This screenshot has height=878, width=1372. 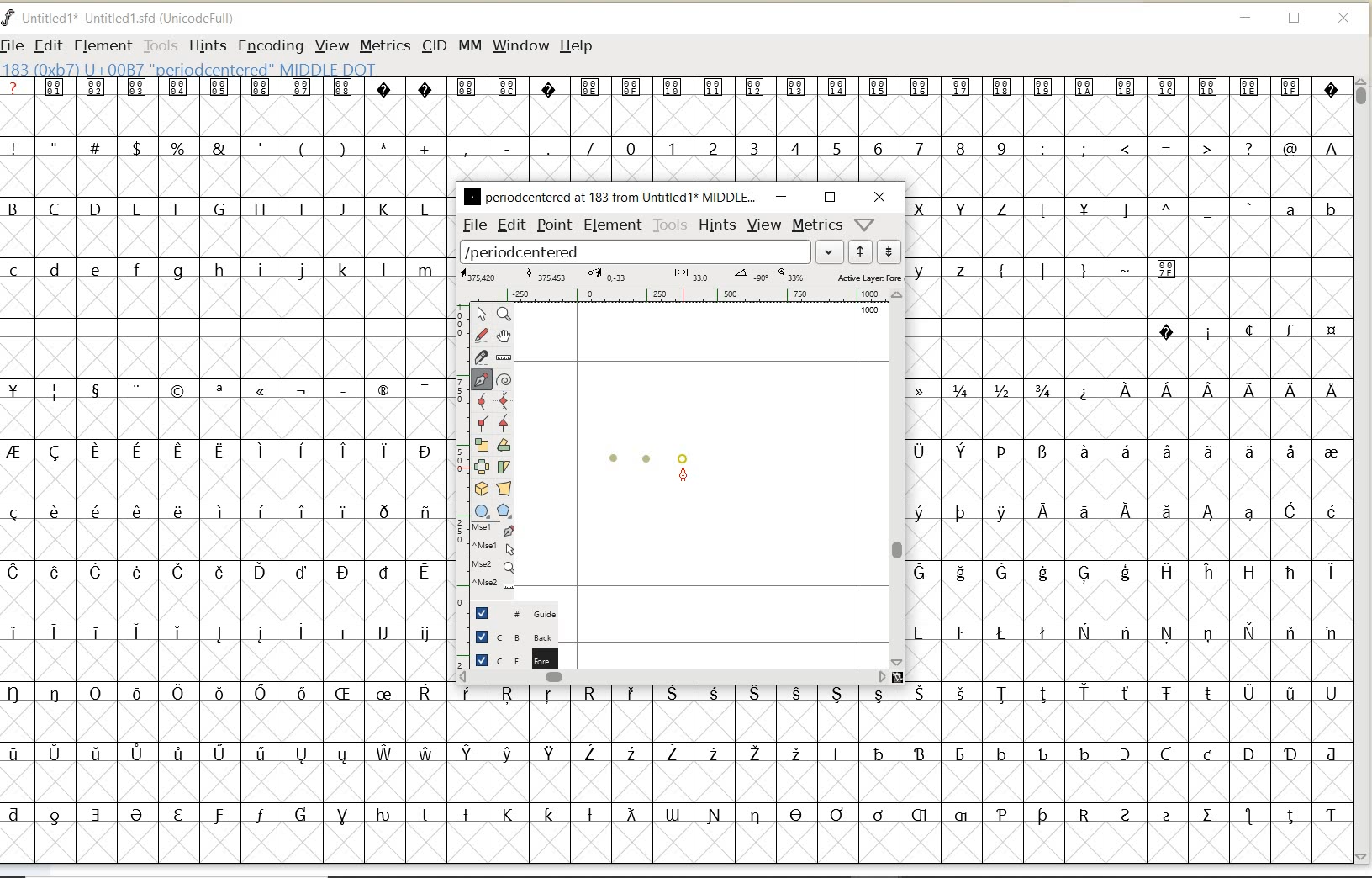 What do you see at coordinates (718, 225) in the screenshot?
I see `hints` at bounding box center [718, 225].